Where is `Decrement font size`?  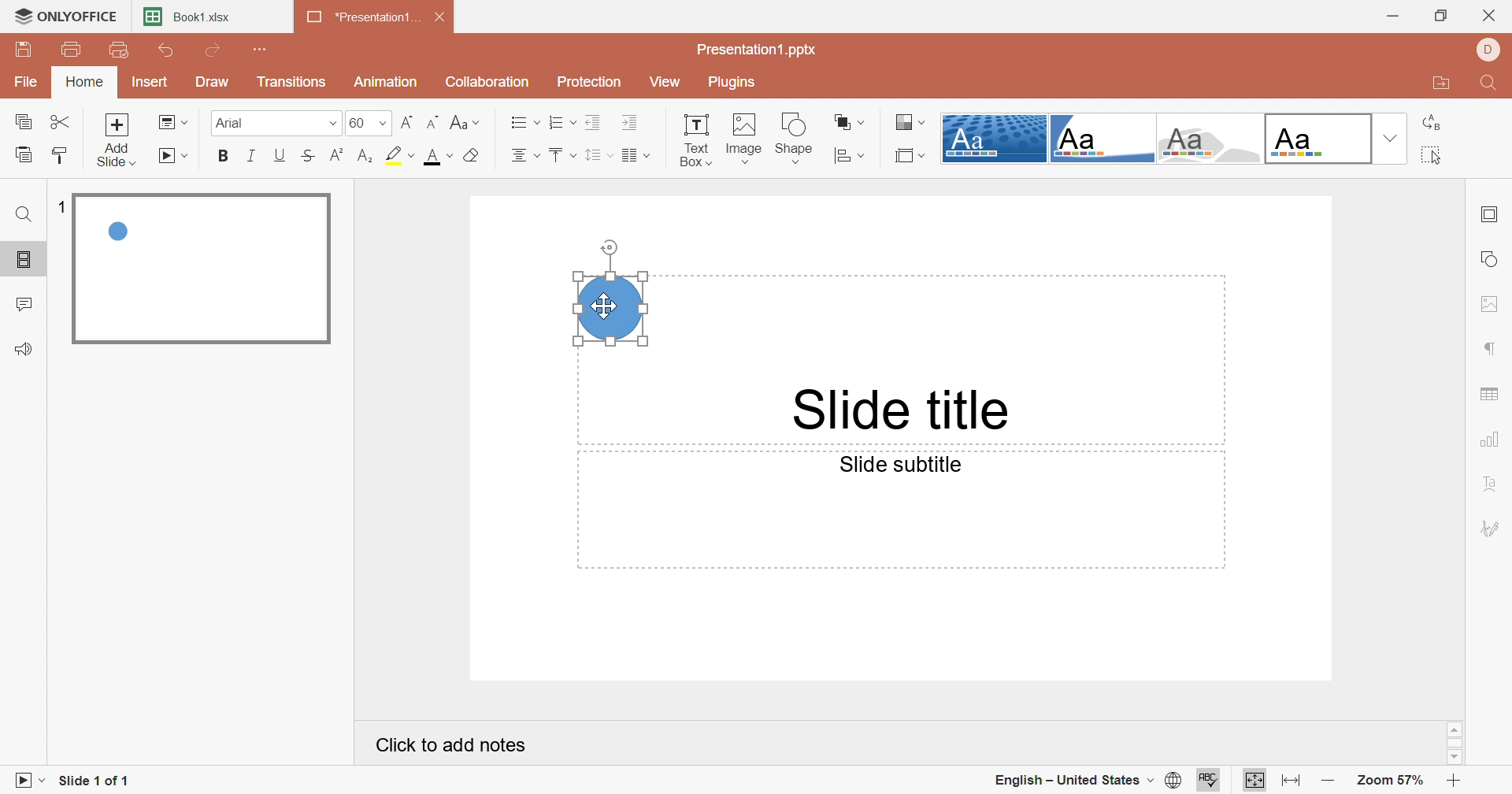
Decrement font size is located at coordinates (435, 121).